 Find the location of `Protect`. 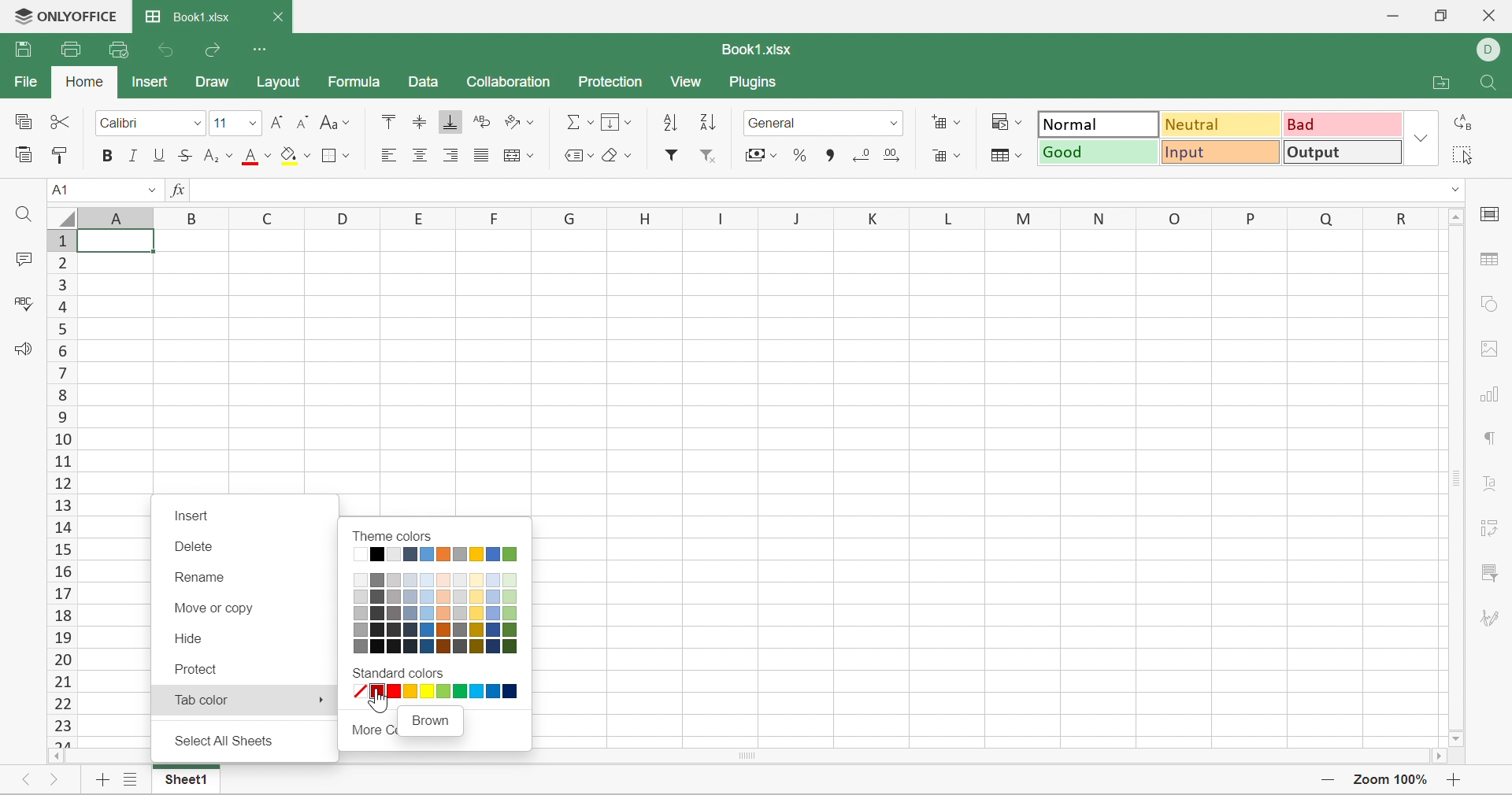

Protect is located at coordinates (201, 670).